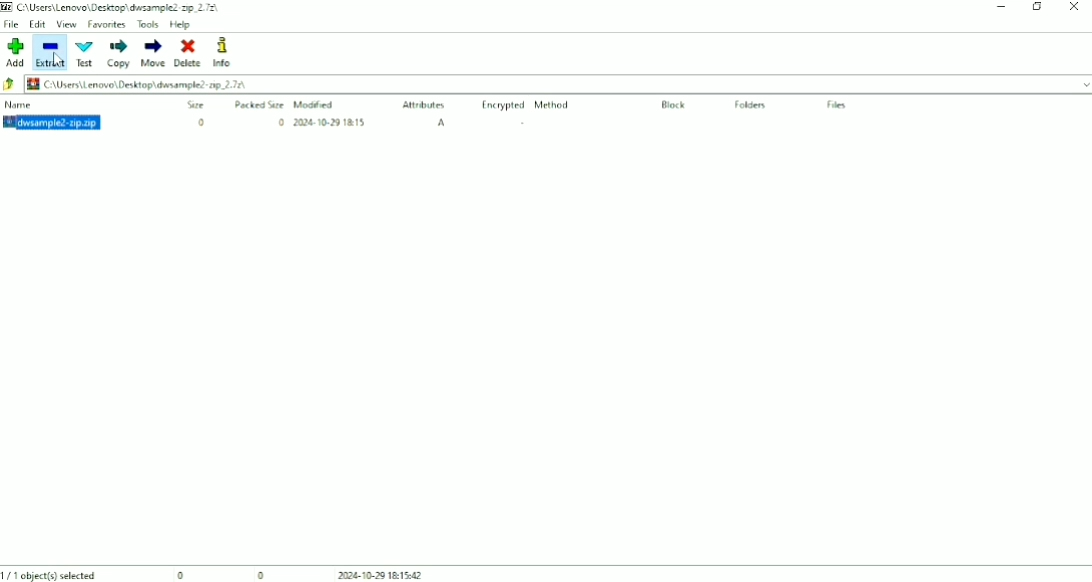 This screenshot has width=1092, height=582. What do you see at coordinates (1074, 7) in the screenshot?
I see `Close` at bounding box center [1074, 7].